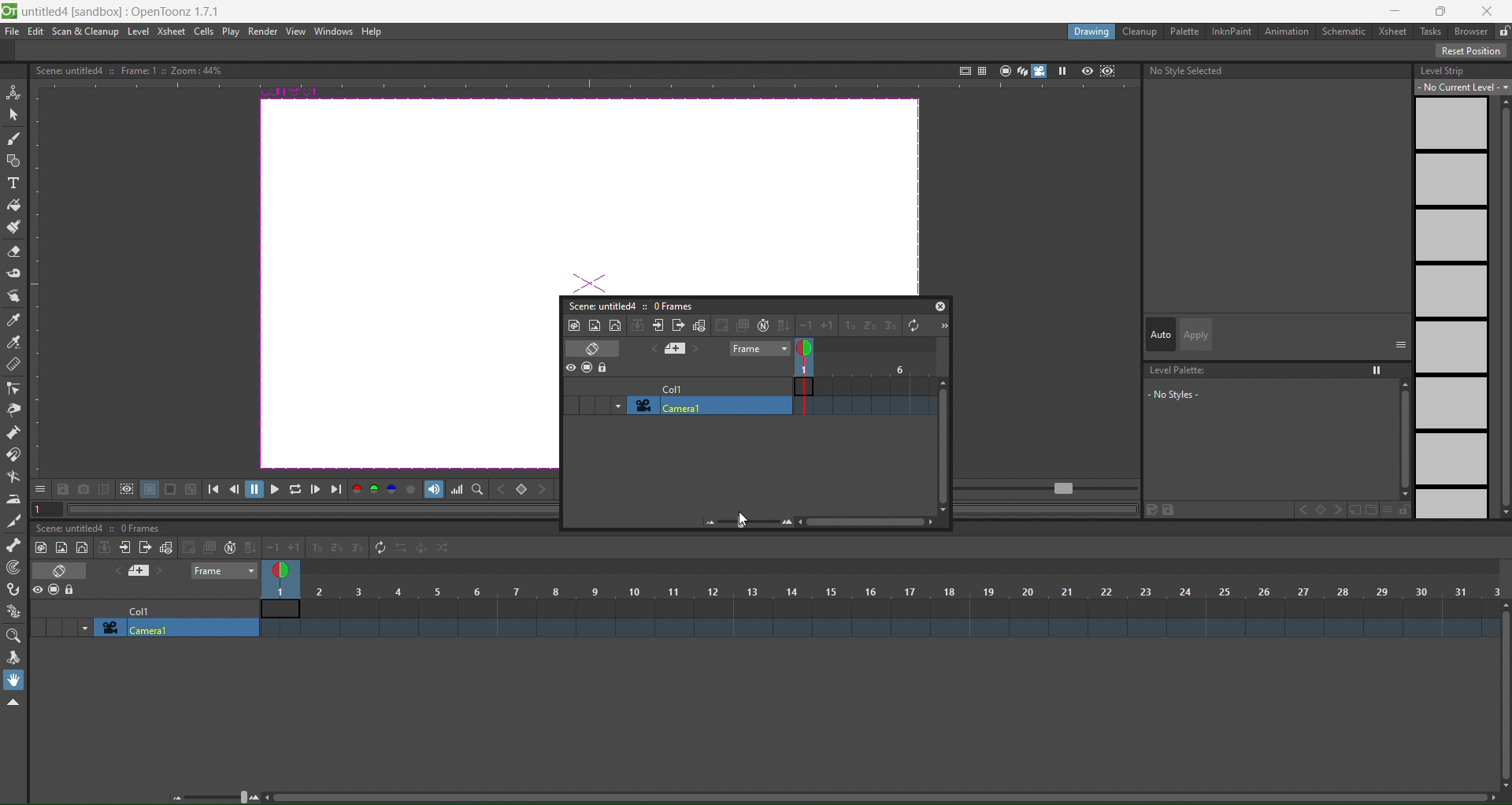 The width and height of the screenshot is (1512, 805). What do you see at coordinates (15, 590) in the screenshot?
I see `hook tool` at bounding box center [15, 590].